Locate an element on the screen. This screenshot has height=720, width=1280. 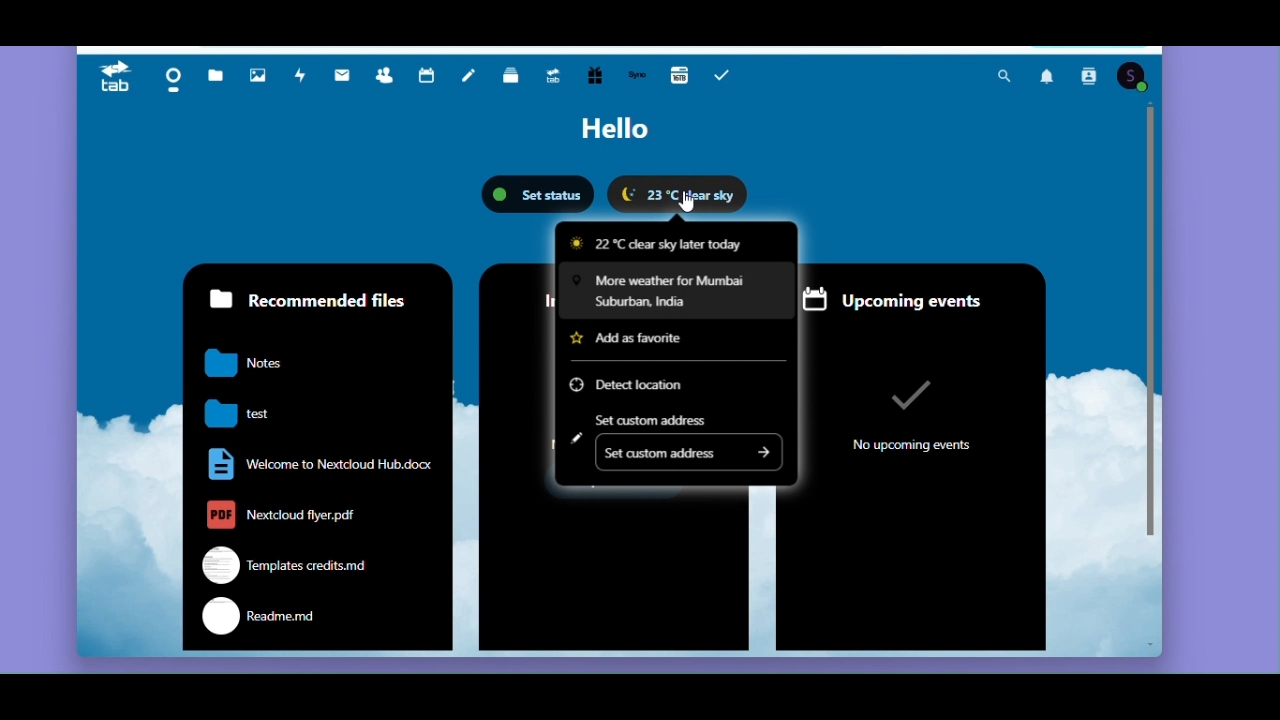
 set status is located at coordinates (539, 194).